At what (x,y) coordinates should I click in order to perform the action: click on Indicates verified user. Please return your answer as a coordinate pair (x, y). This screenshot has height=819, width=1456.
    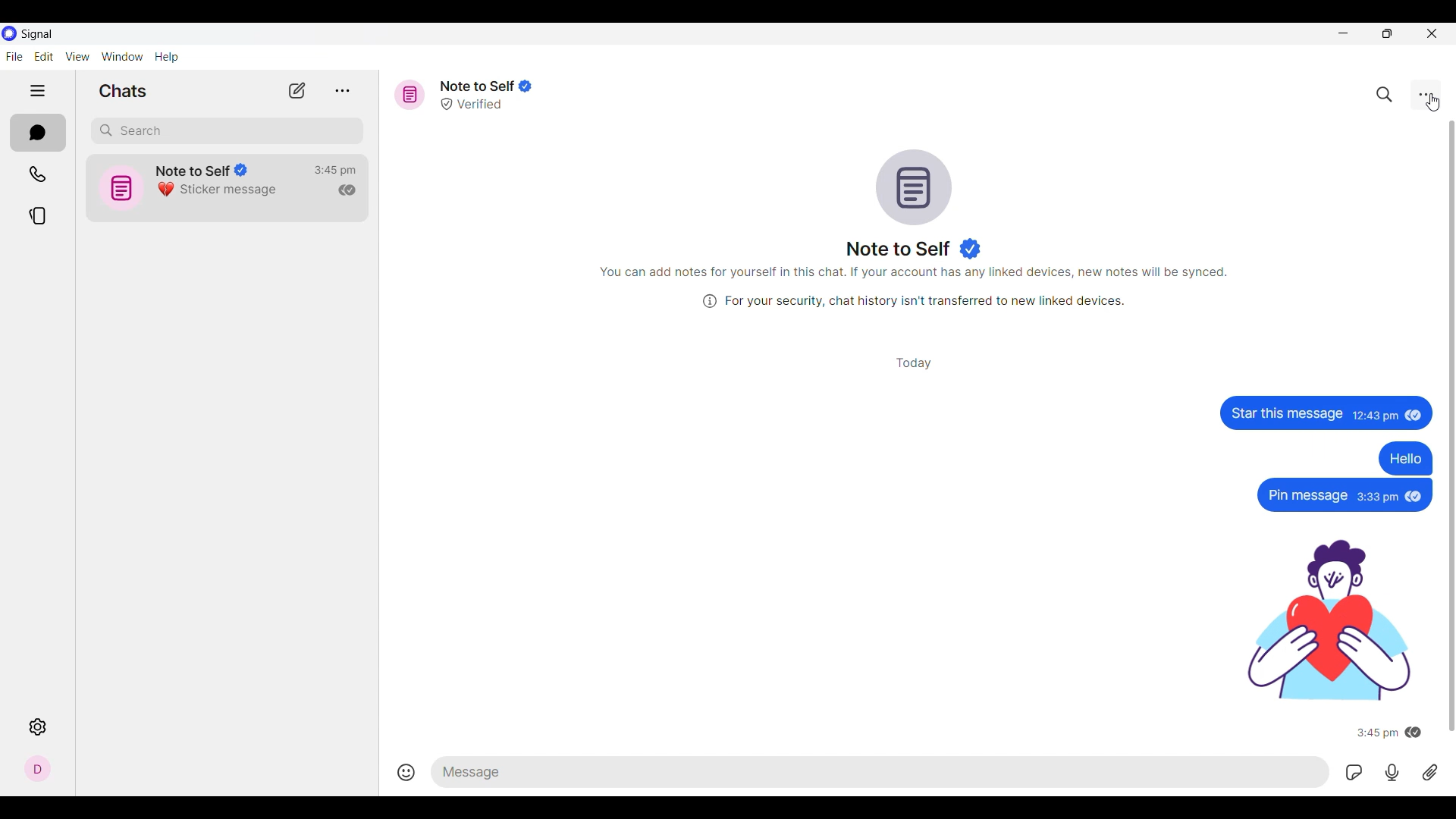
    Looking at the image, I should click on (970, 248).